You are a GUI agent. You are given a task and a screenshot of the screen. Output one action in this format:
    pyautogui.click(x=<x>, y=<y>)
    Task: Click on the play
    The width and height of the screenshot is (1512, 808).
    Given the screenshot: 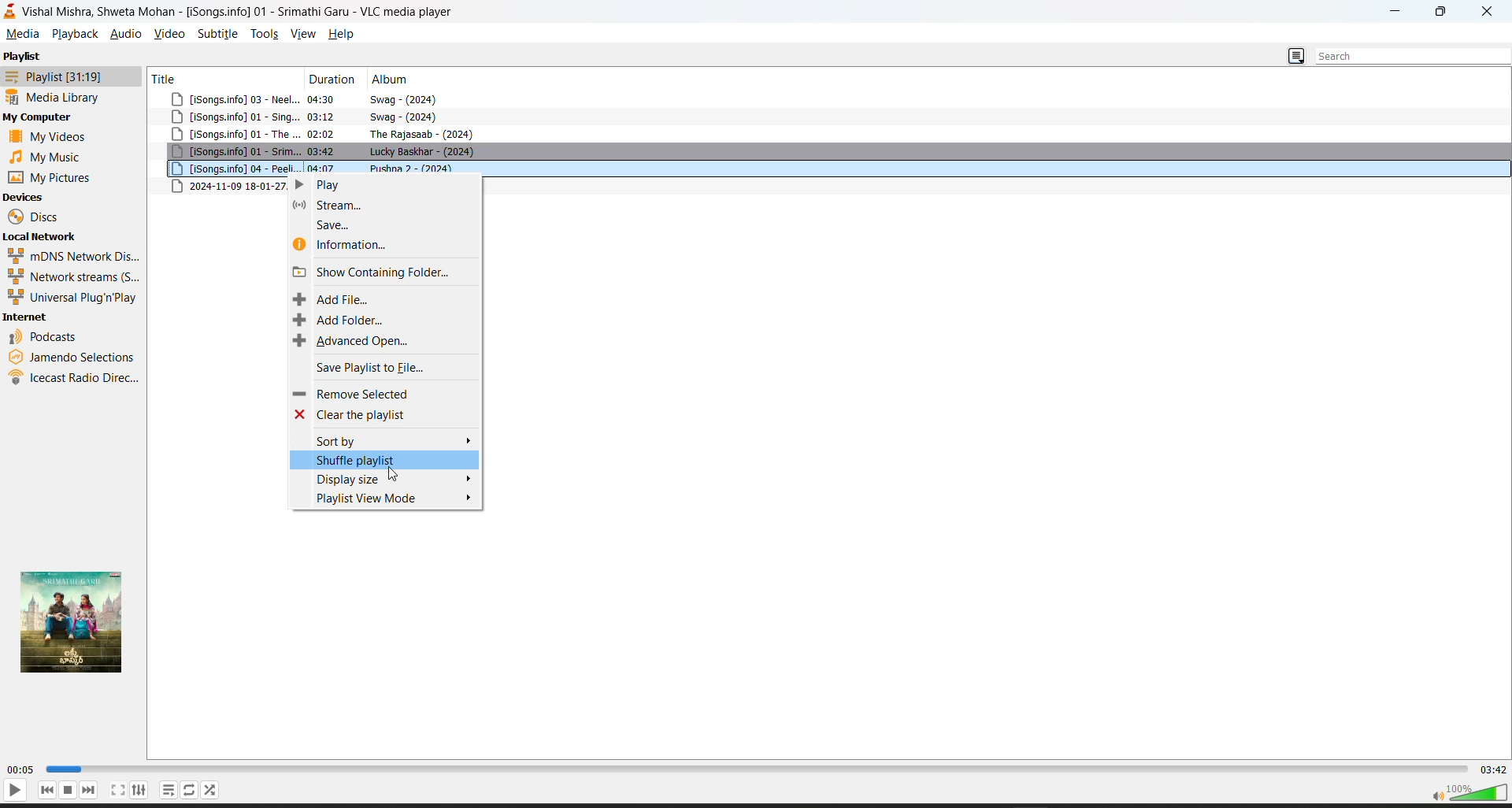 What is the action you would take?
    pyautogui.click(x=328, y=185)
    